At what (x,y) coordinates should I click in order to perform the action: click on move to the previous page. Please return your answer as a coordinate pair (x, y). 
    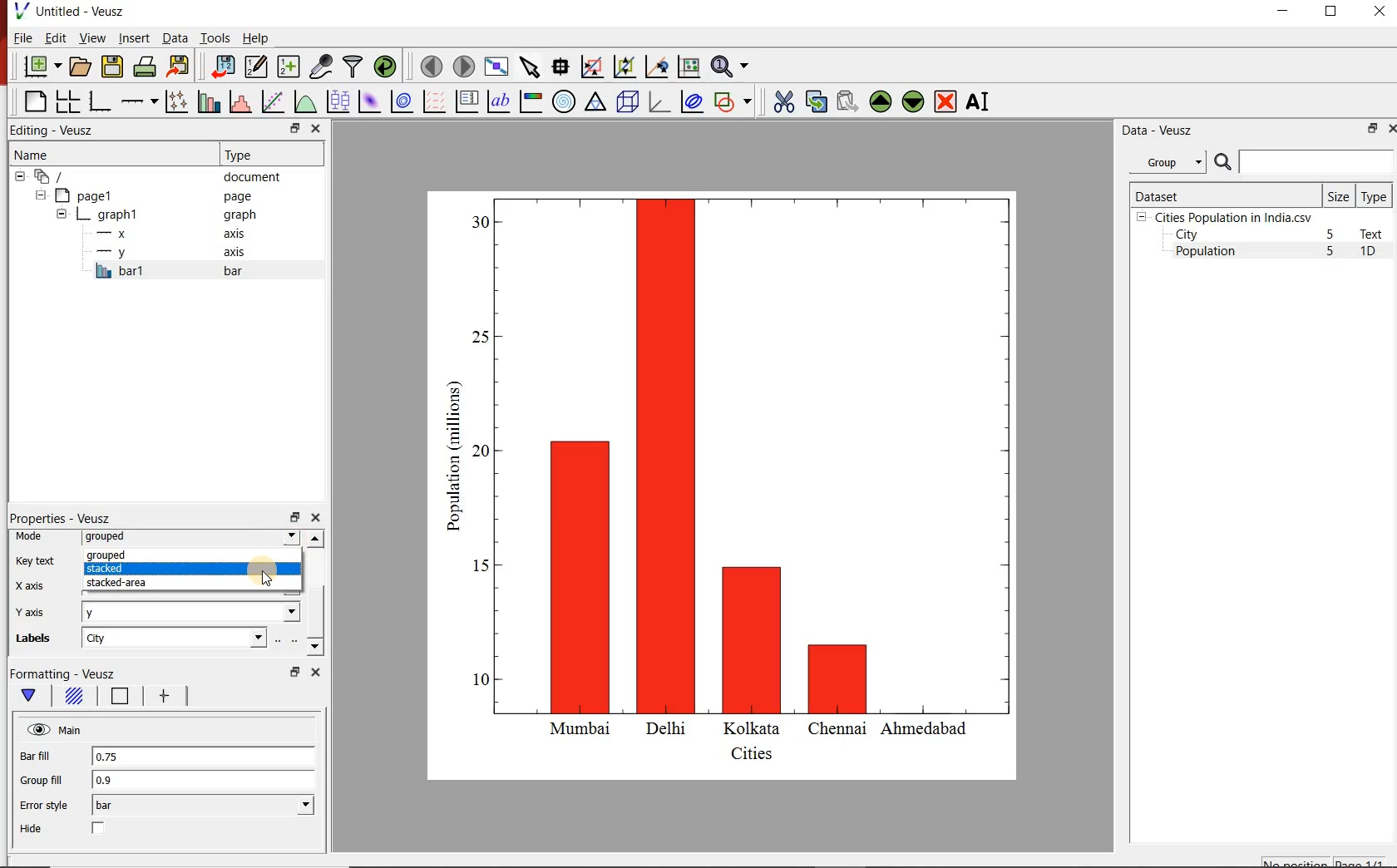
    Looking at the image, I should click on (429, 65).